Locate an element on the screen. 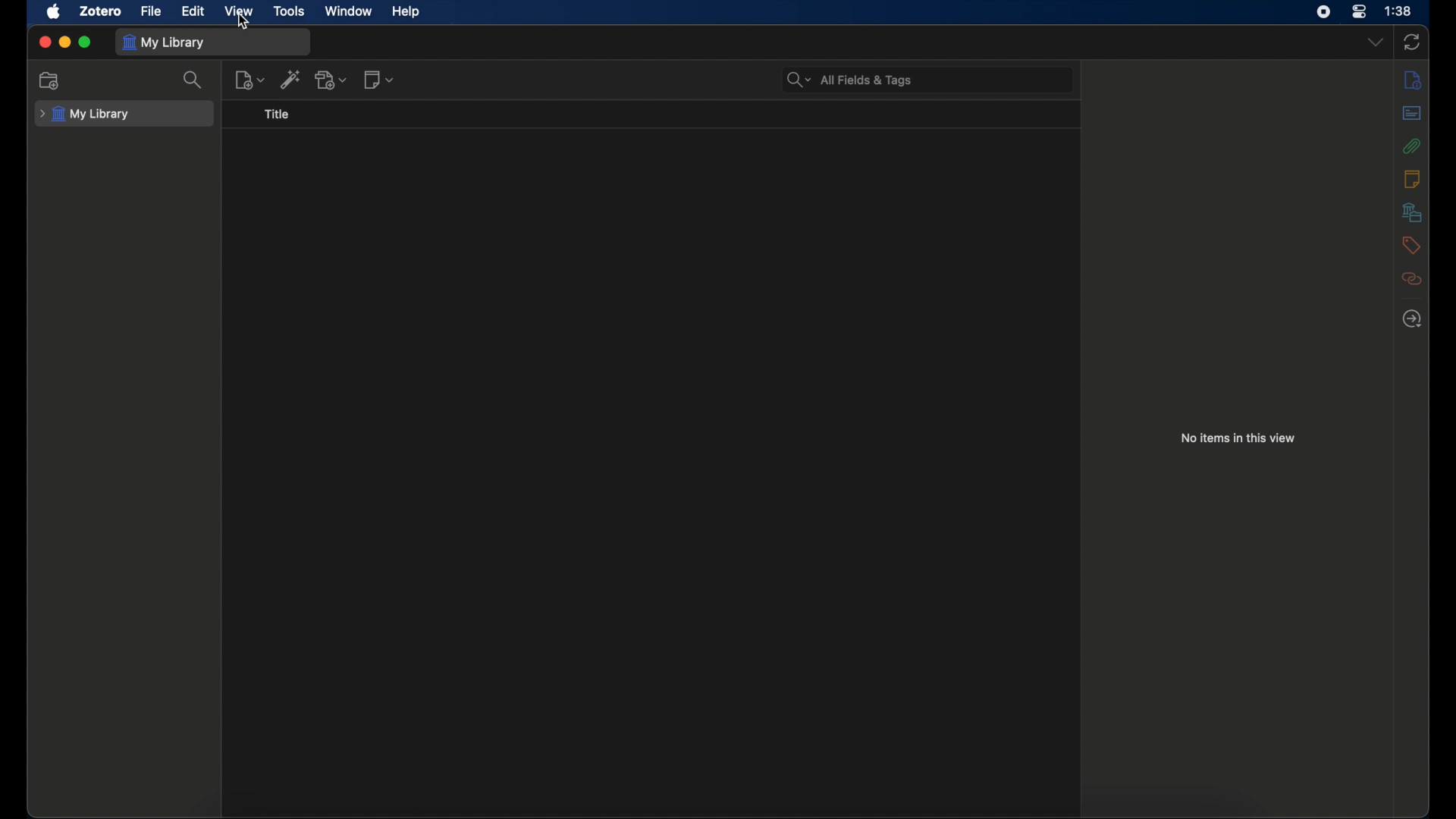 Image resolution: width=1456 pixels, height=819 pixels. maximize is located at coordinates (86, 42).